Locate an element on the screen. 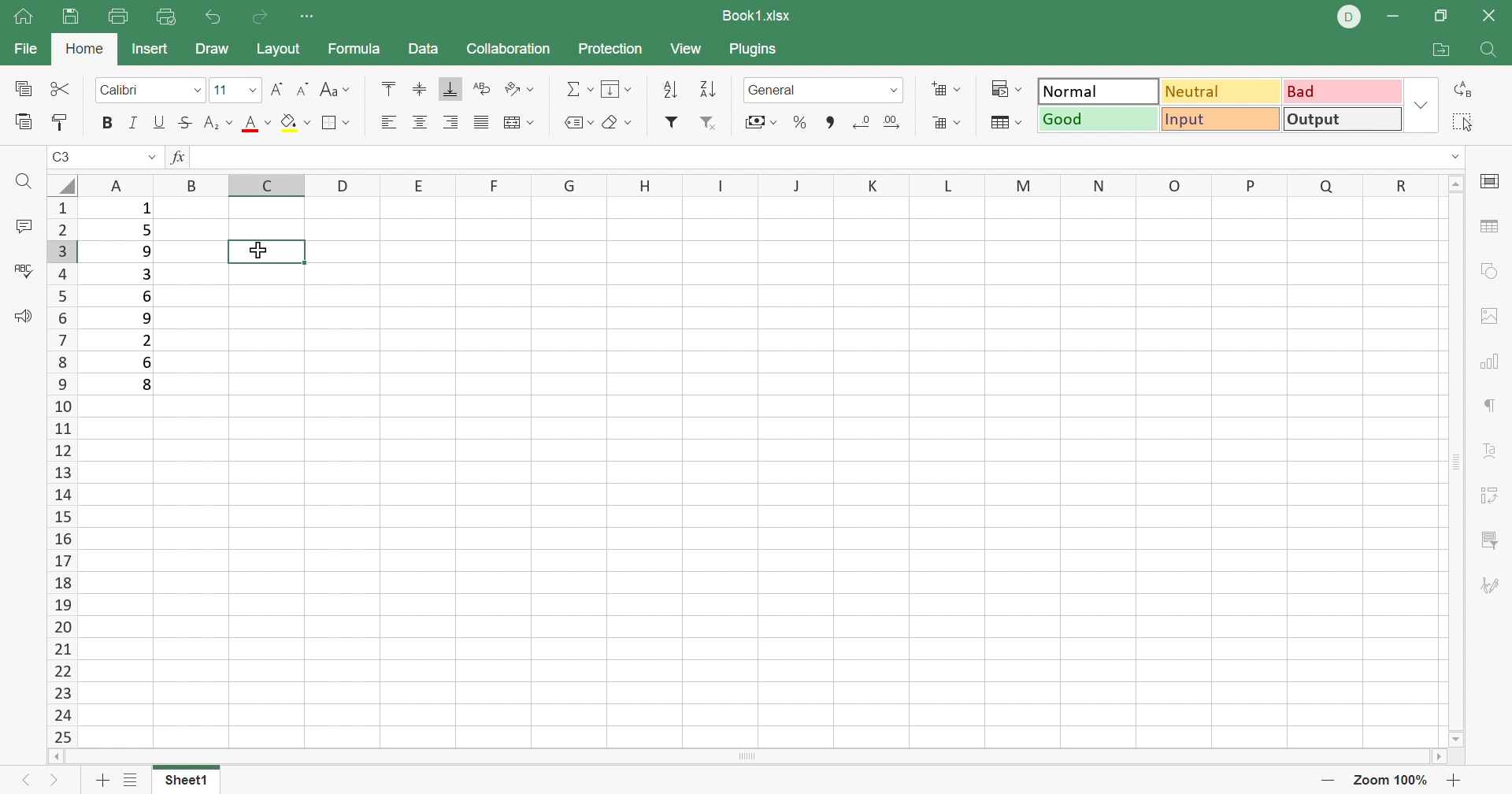 The image size is (1512, 794). Row numbers is located at coordinates (64, 471).